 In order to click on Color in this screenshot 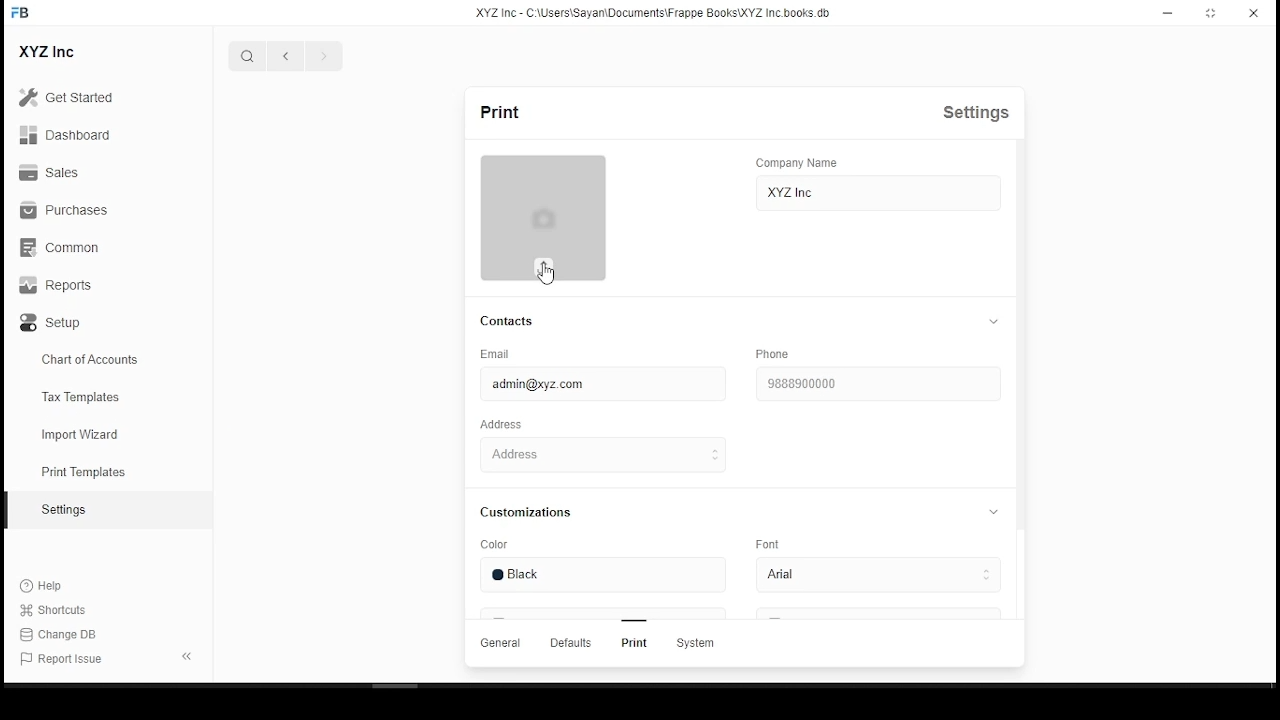, I will do `click(494, 545)`.